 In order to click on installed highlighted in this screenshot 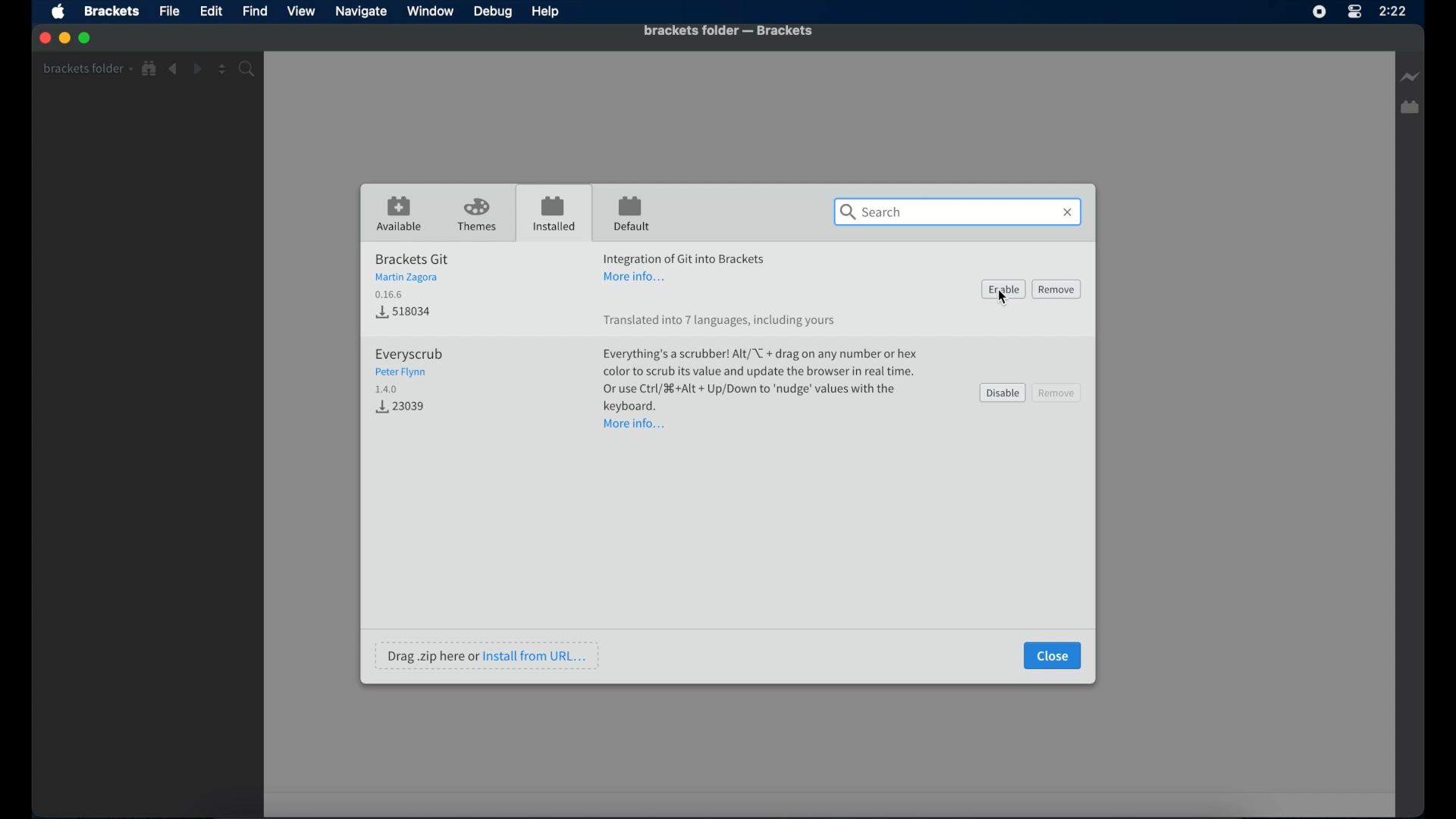, I will do `click(553, 212)`.